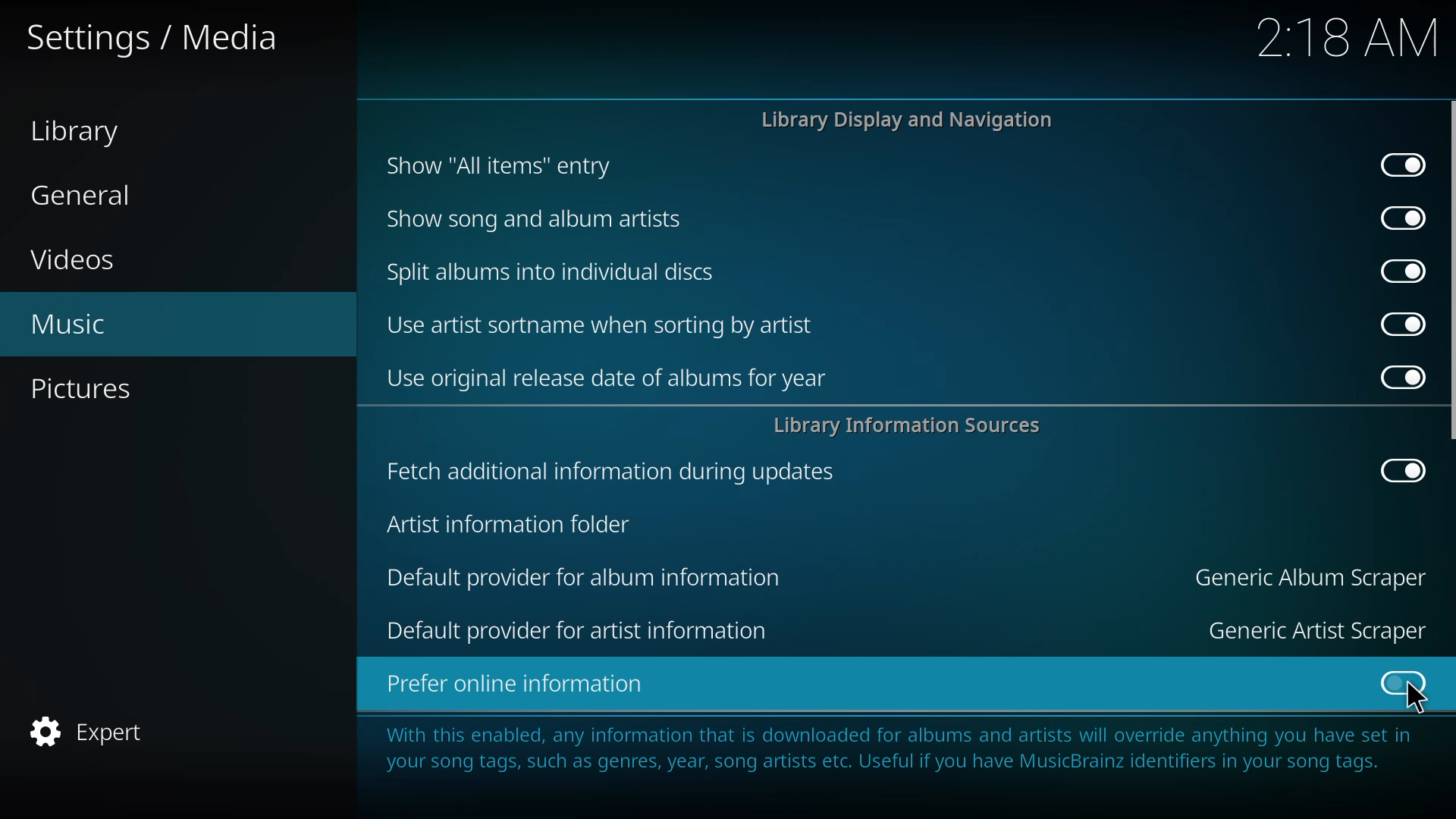 This screenshot has width=1456, height=819. I want to click on default provider for artist information, so click(588, 626).